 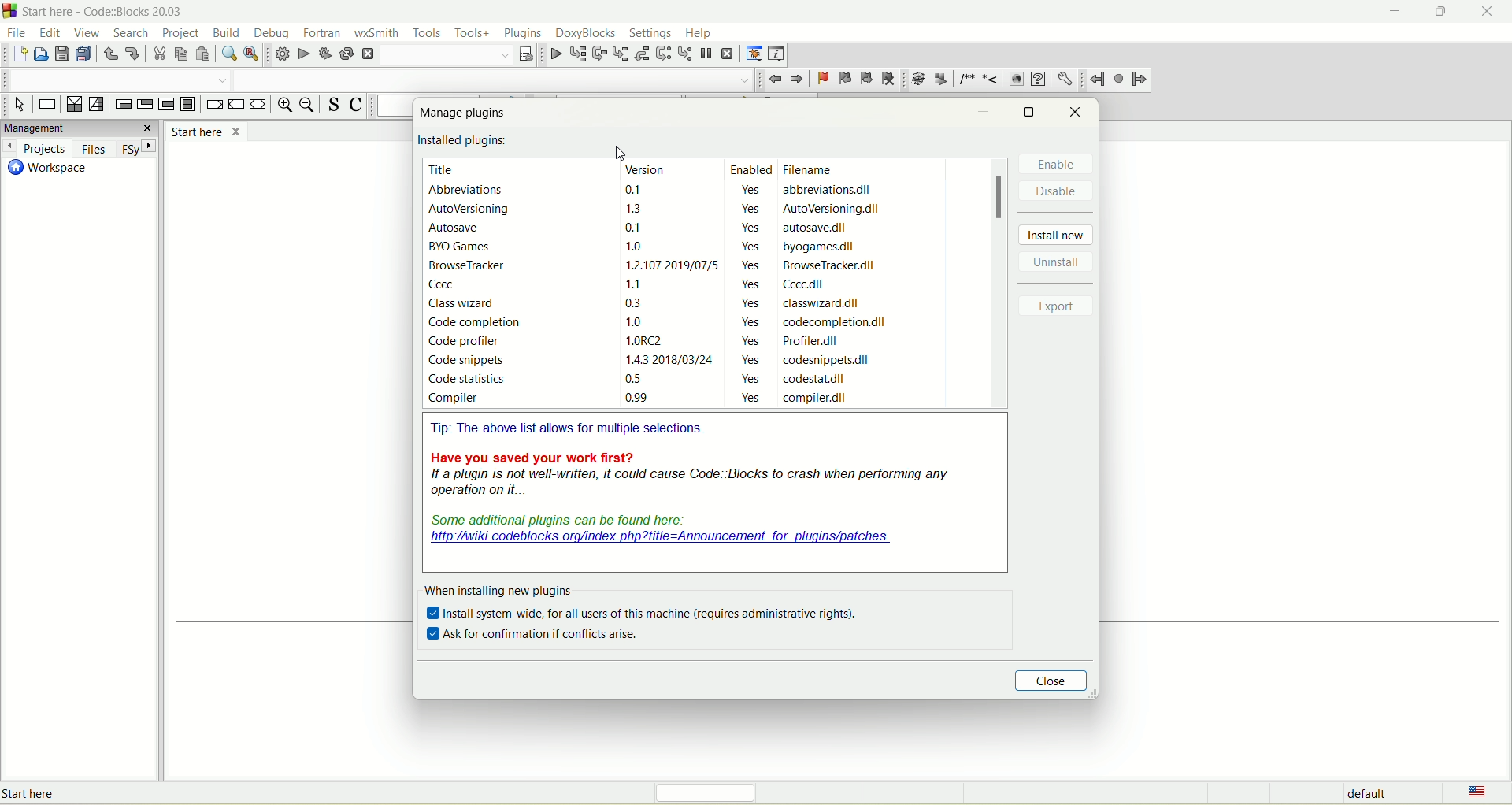 What do you see at coordinates (1060, 165) in the screenshot?
I see `enable` at bounding box center [1060, 165].